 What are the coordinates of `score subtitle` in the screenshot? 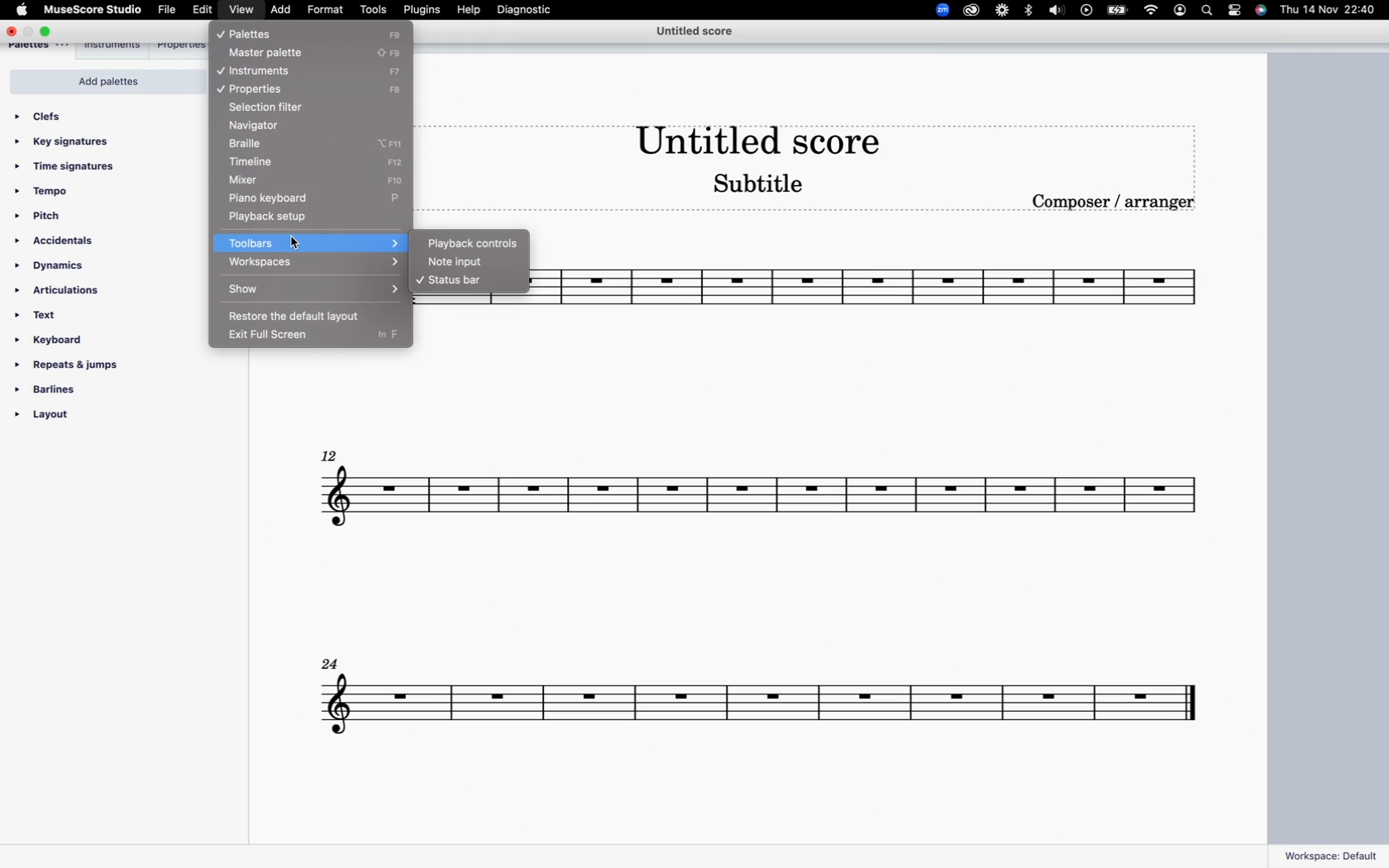 It's located at (765, 188).